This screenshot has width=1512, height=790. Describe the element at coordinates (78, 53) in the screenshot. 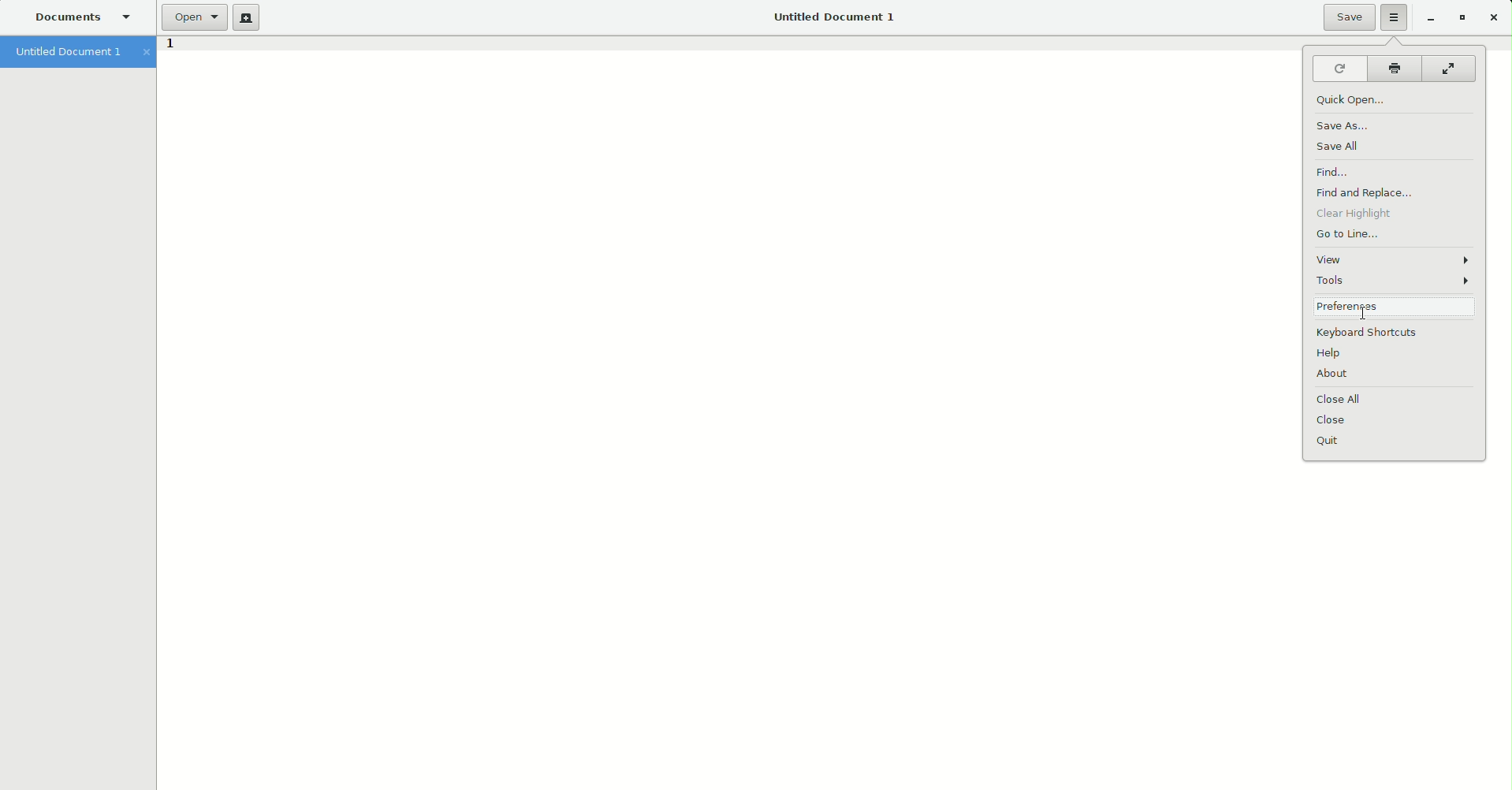

I see `Untitled document 1` at that location.